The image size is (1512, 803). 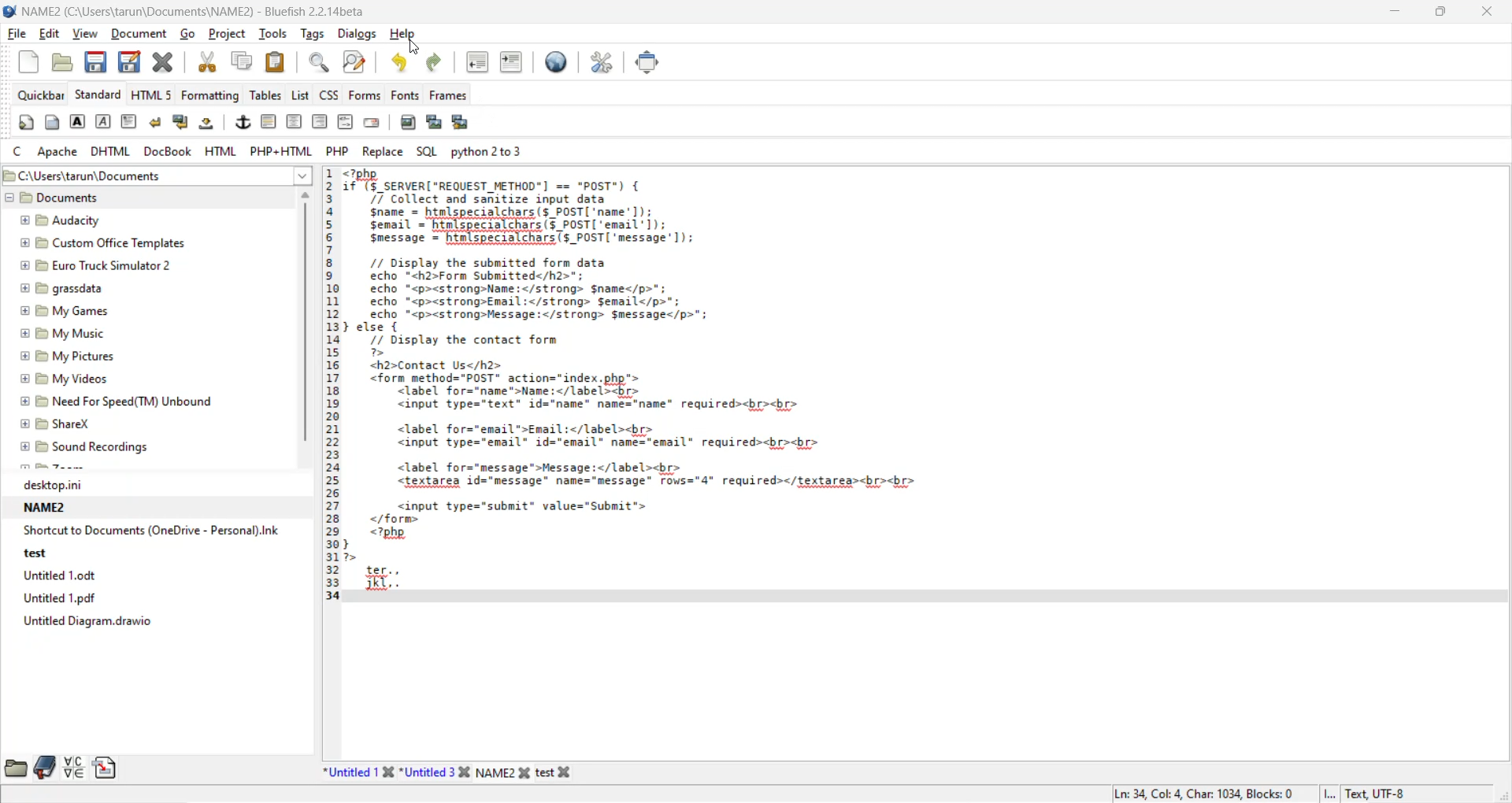 What do you see at coordinates (409, 96) in the screenshot?
I see `fonts` at bounding box center [409, 96].